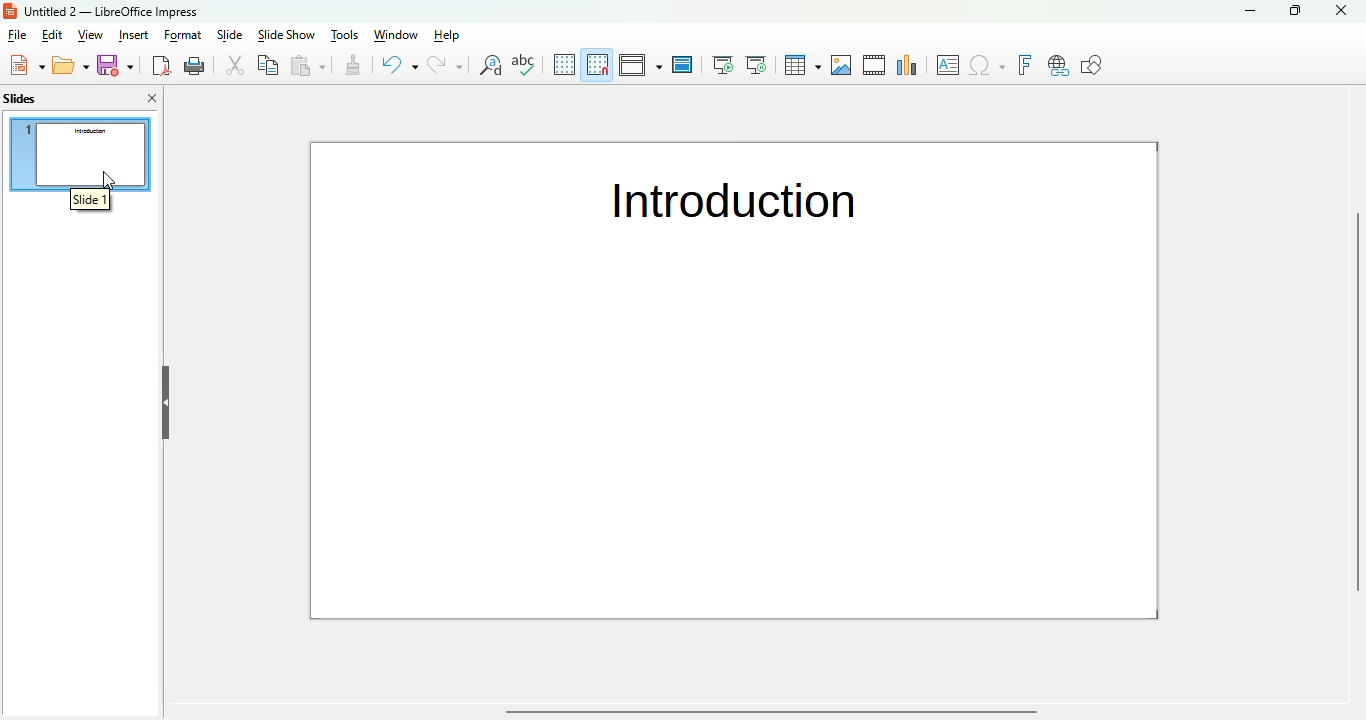 Image resolution: width=1366 pixels, height=720 pixels. What do you see at coordinates (1091, 64) in the screenshot?
I see `show draw functions` at bounding box center [1091, 64].